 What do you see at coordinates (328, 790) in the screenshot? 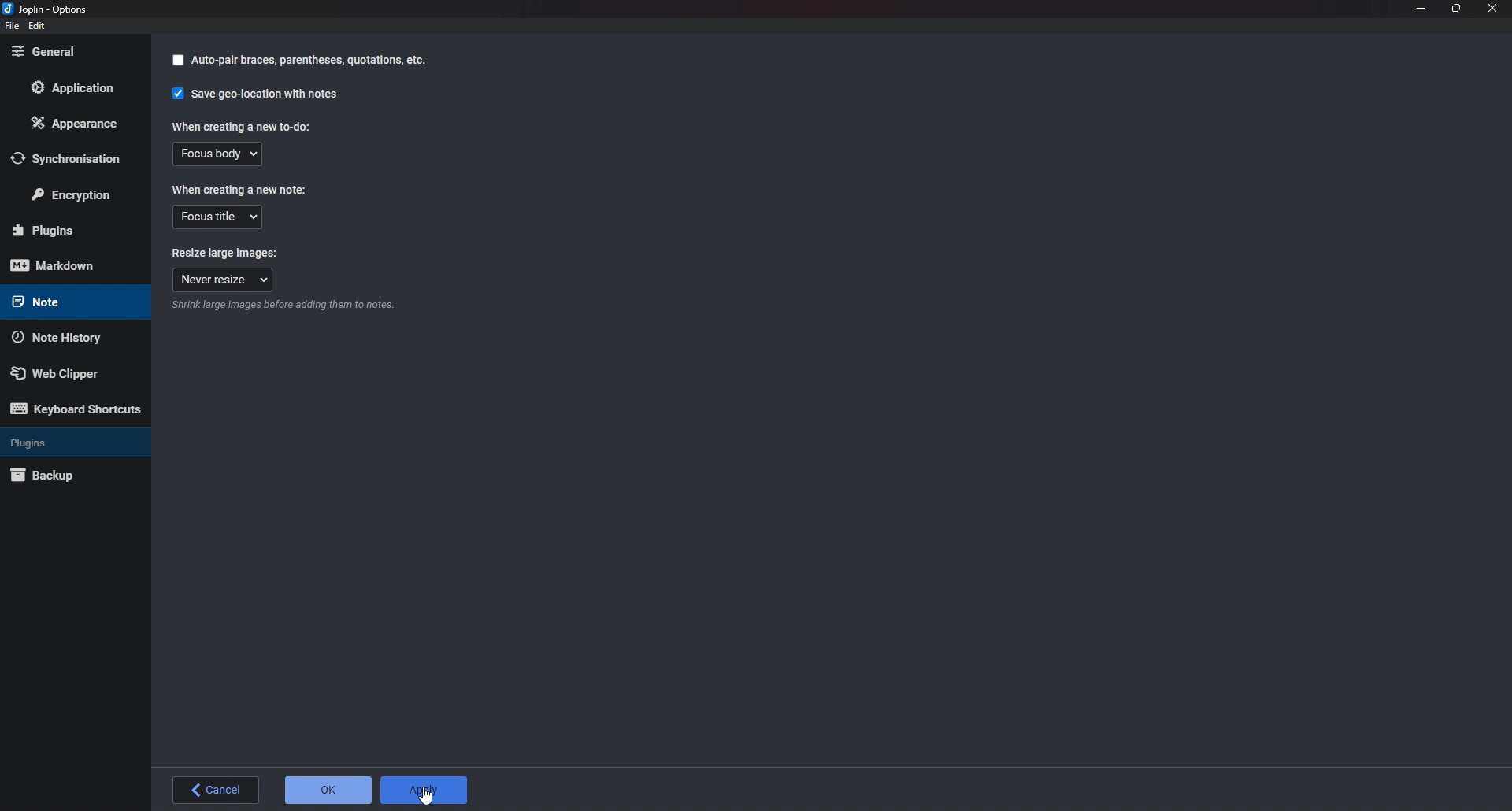
I see `O K` at bounding box center [328, 790].